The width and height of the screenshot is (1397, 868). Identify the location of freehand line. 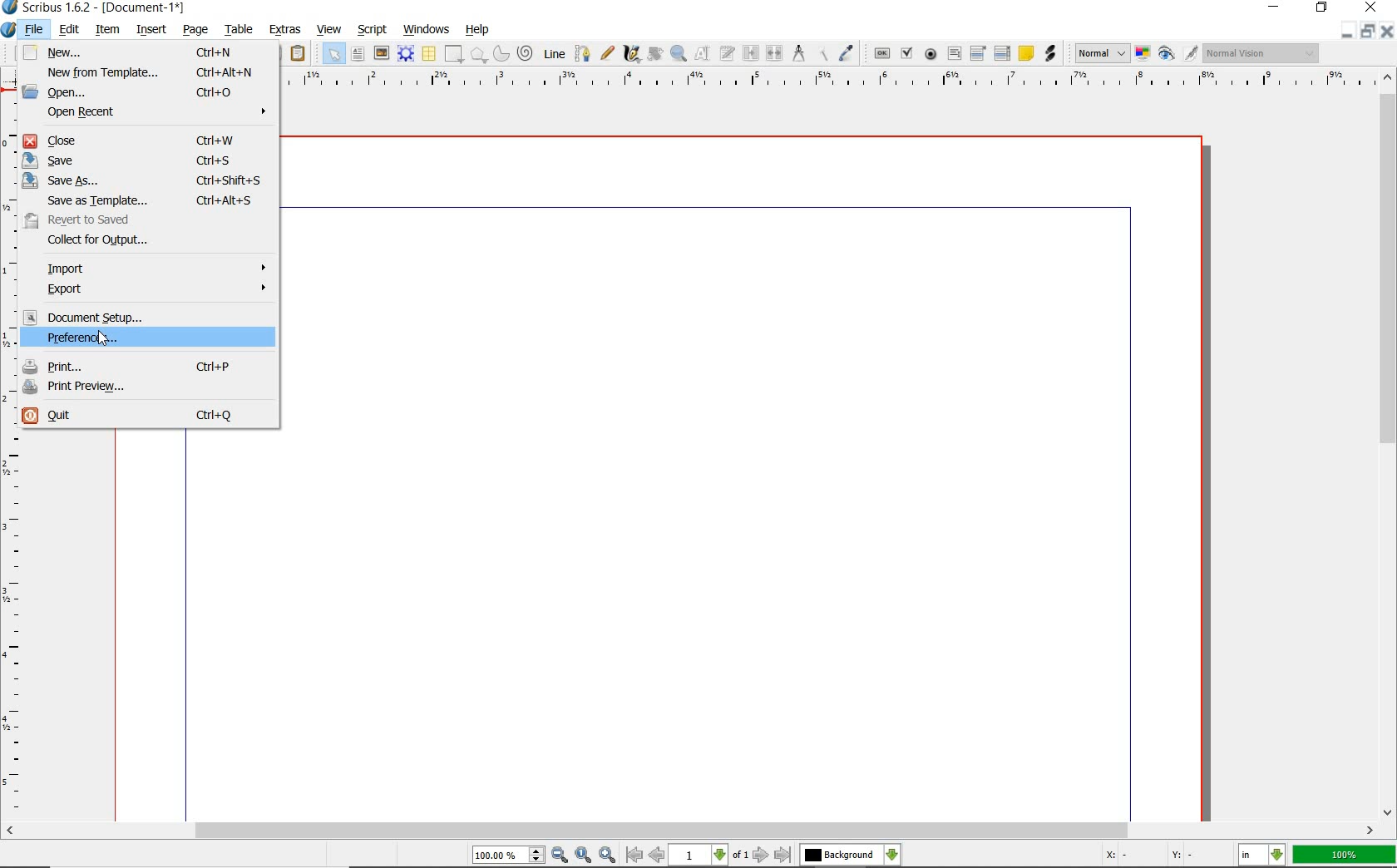
(605, 52).